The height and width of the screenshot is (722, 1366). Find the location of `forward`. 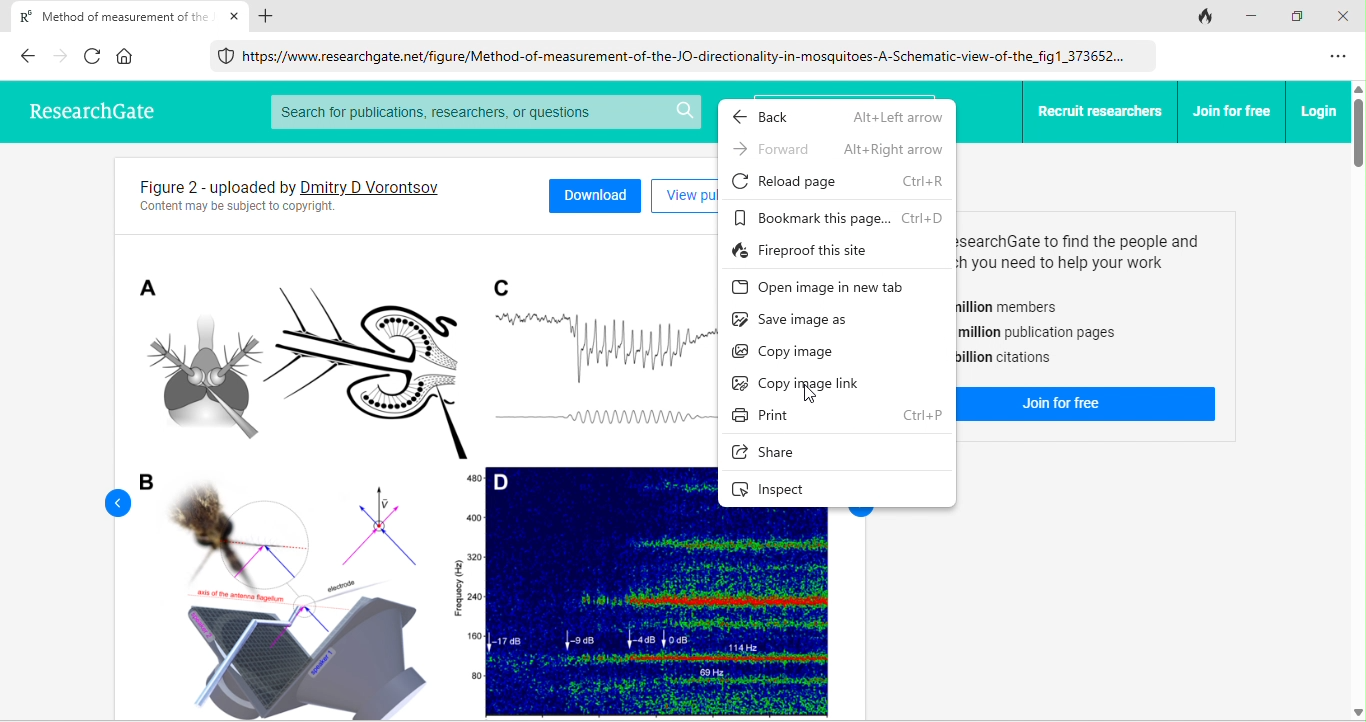

forward is located at coordinates (62, 56).